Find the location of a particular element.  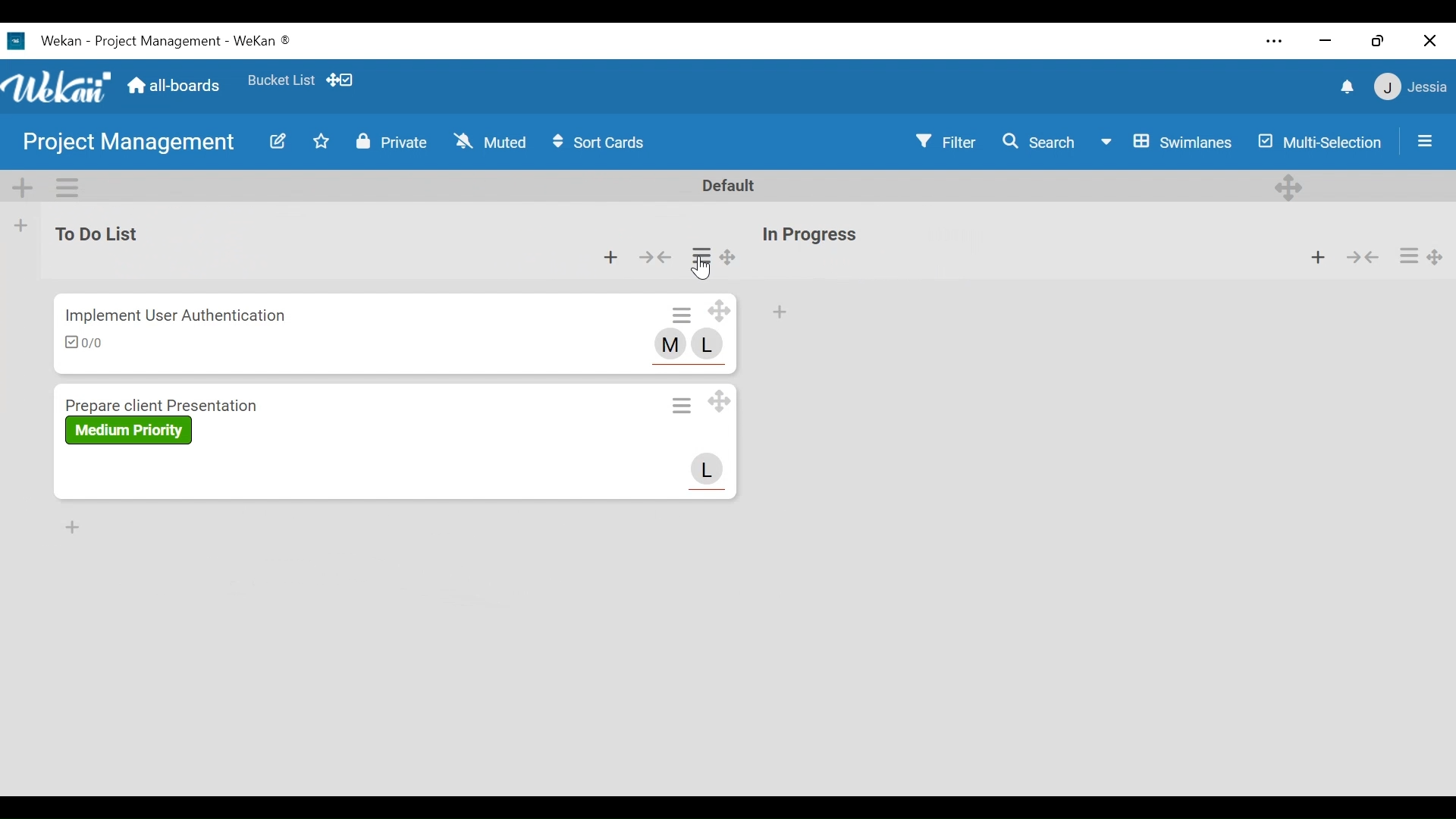

Wekan Desktop Icon is located at coordinates (17, 42).